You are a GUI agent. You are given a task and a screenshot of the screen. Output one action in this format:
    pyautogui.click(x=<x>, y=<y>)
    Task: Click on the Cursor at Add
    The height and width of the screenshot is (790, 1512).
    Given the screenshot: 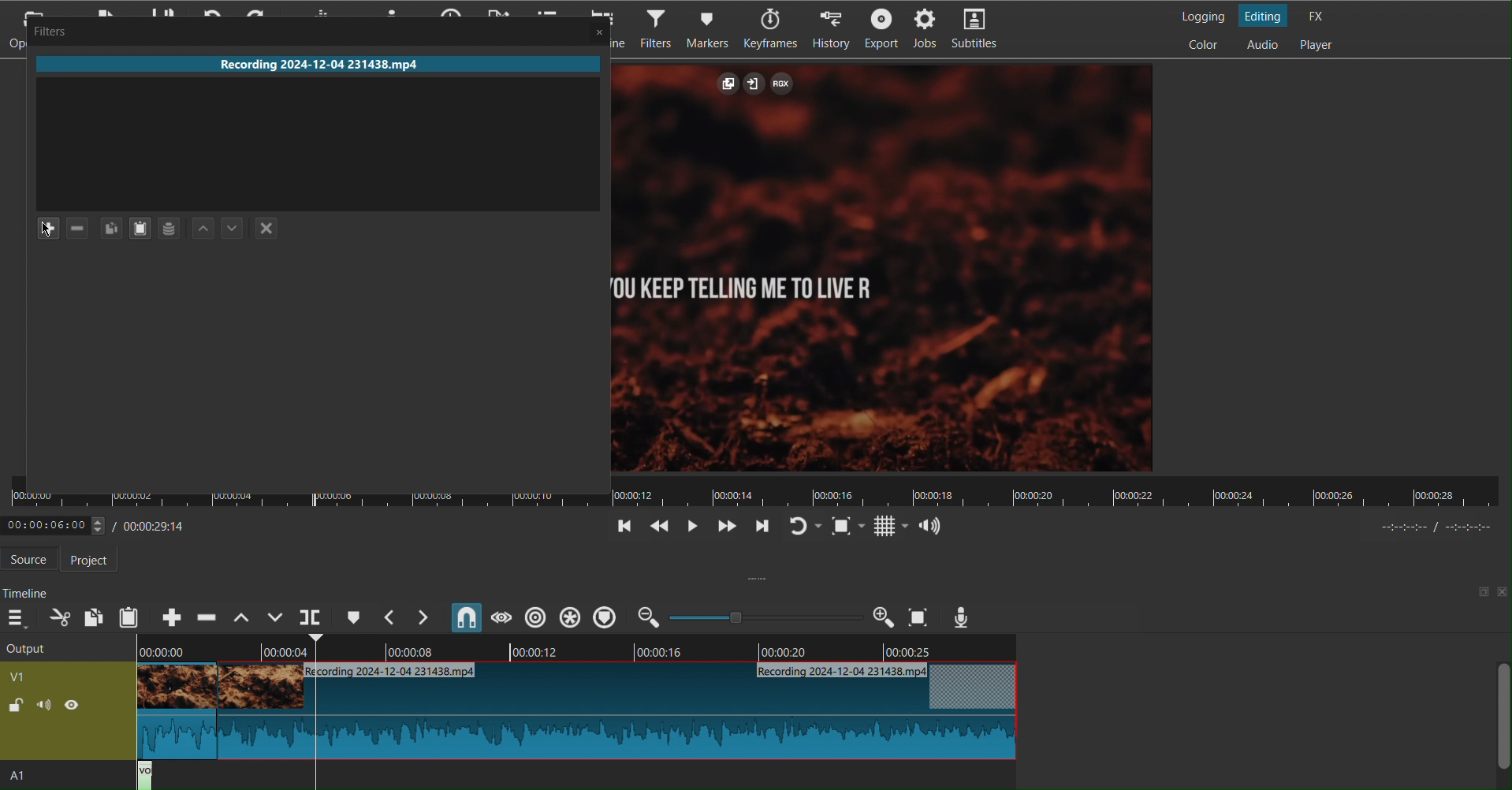 What is the action you would take?
    pyautogui.click(x=49, y=229)
    